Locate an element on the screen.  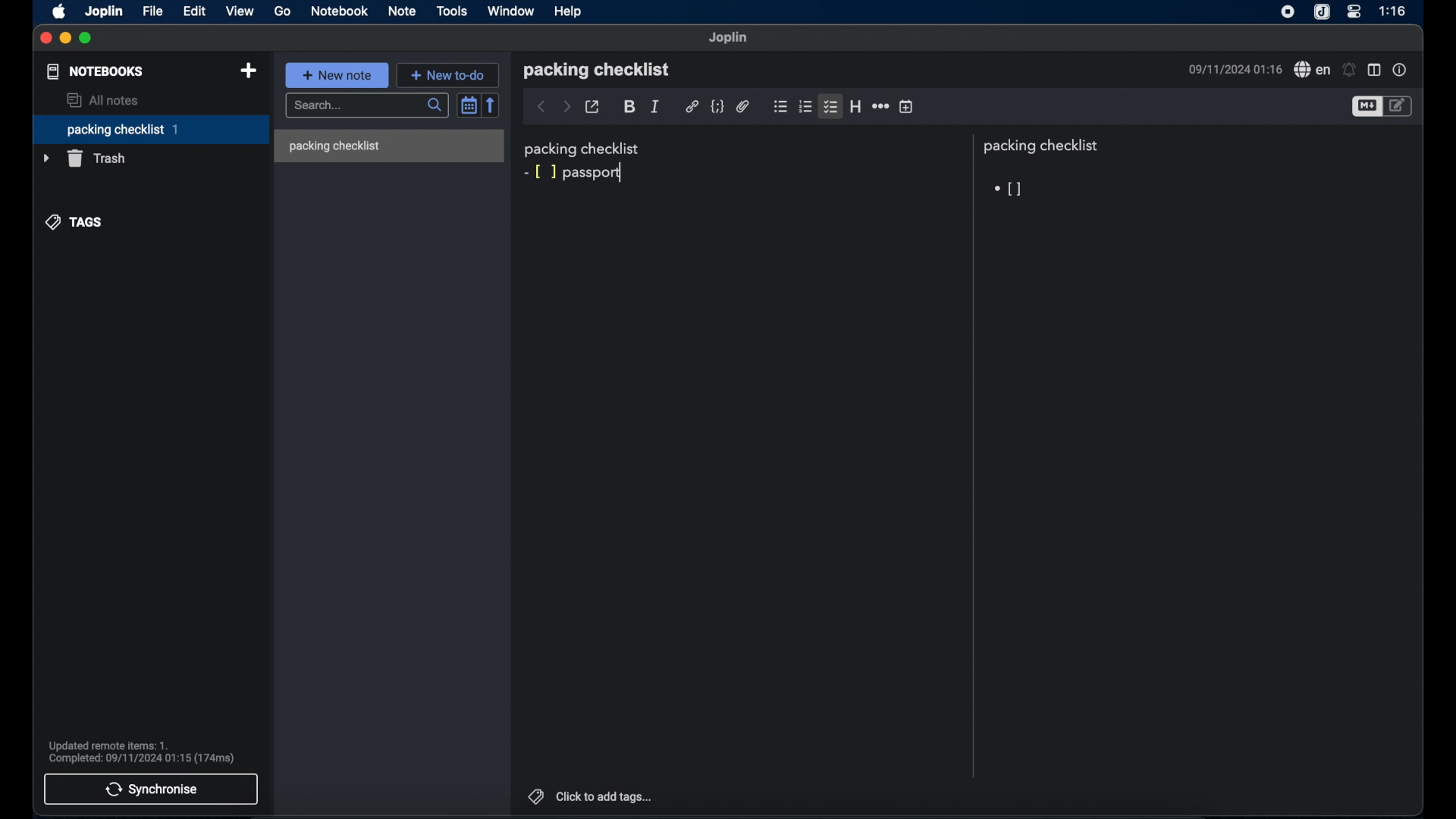
numbered checklist is located at coordinates (806, 108).